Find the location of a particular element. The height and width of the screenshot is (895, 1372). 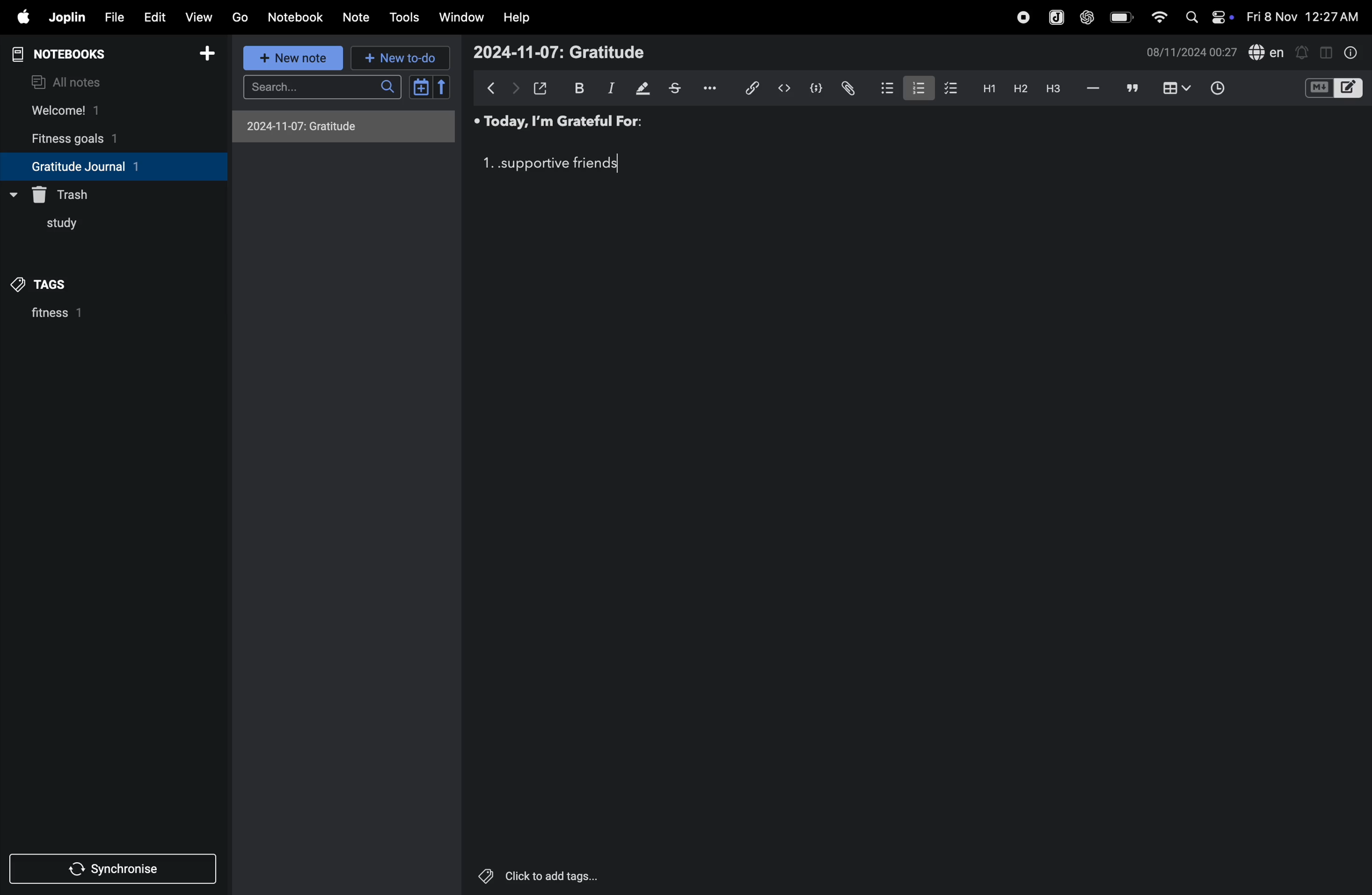

open file is located at coordinates (541, 87).